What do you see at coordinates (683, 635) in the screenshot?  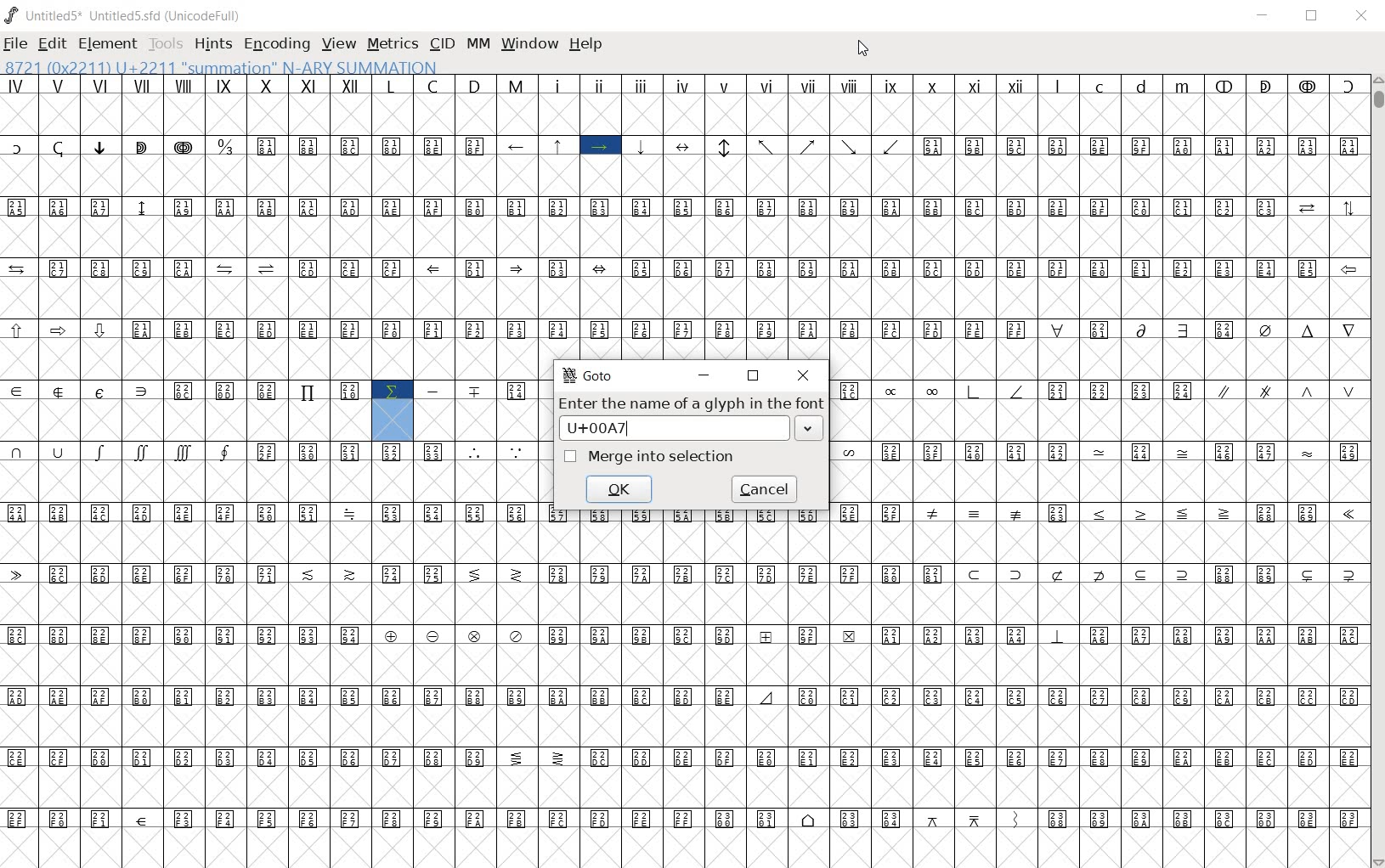 I see `special sybols` at bounding box center [683, 635].